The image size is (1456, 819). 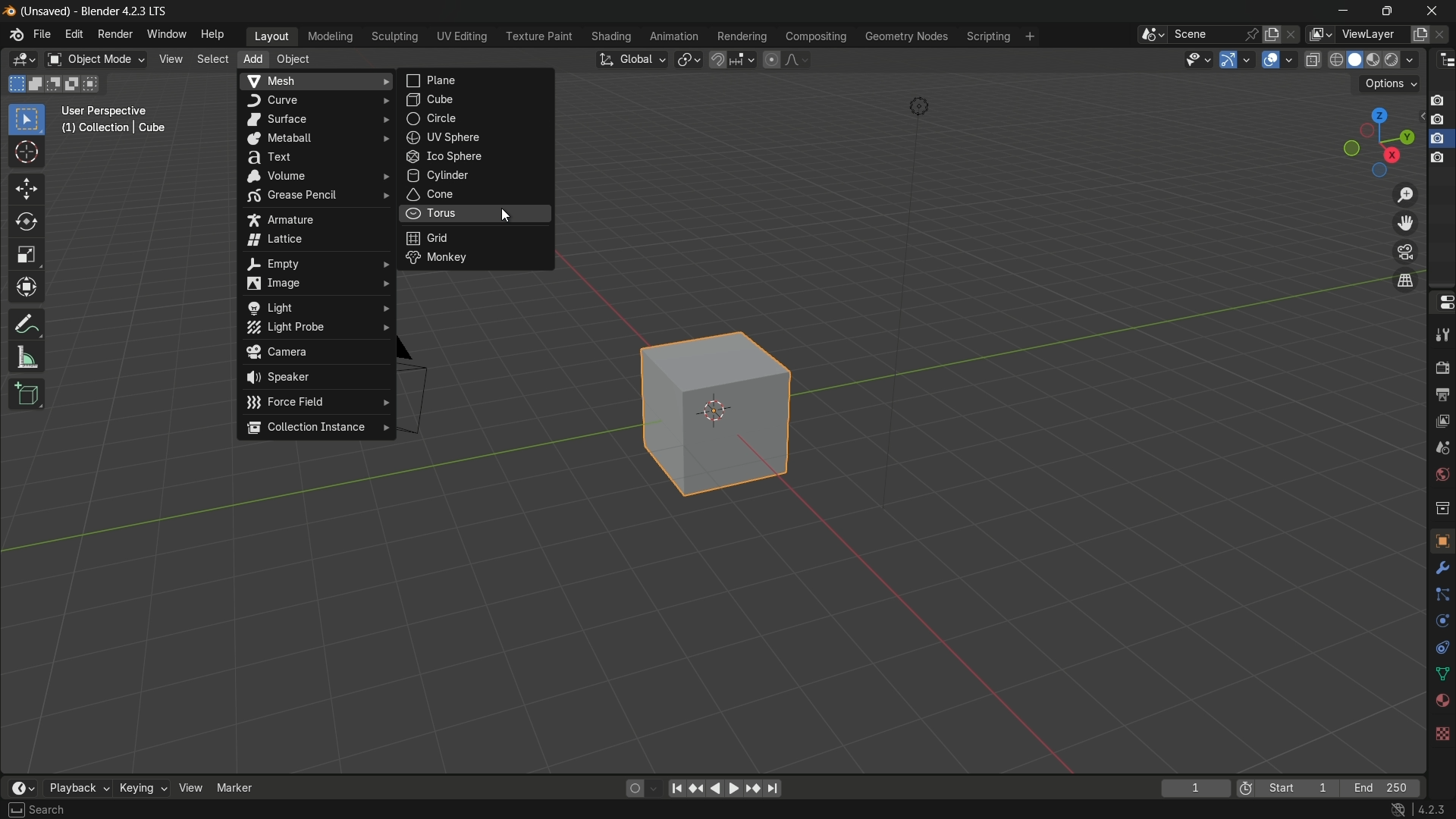 I want to click on properties, so click(x=1442, y=302).